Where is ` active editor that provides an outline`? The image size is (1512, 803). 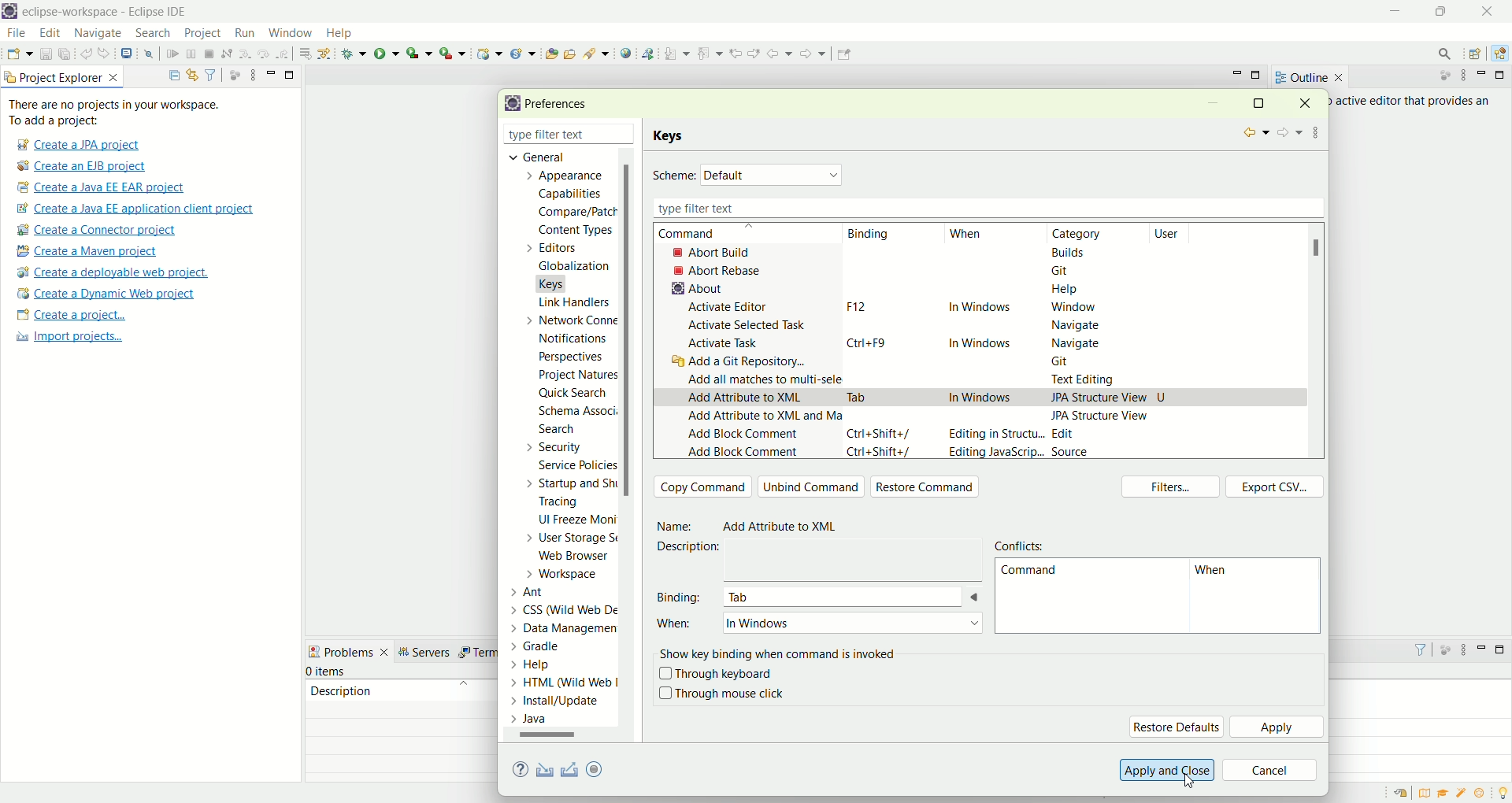  active editor that provides an outline is located at coordinates (1414, 102).